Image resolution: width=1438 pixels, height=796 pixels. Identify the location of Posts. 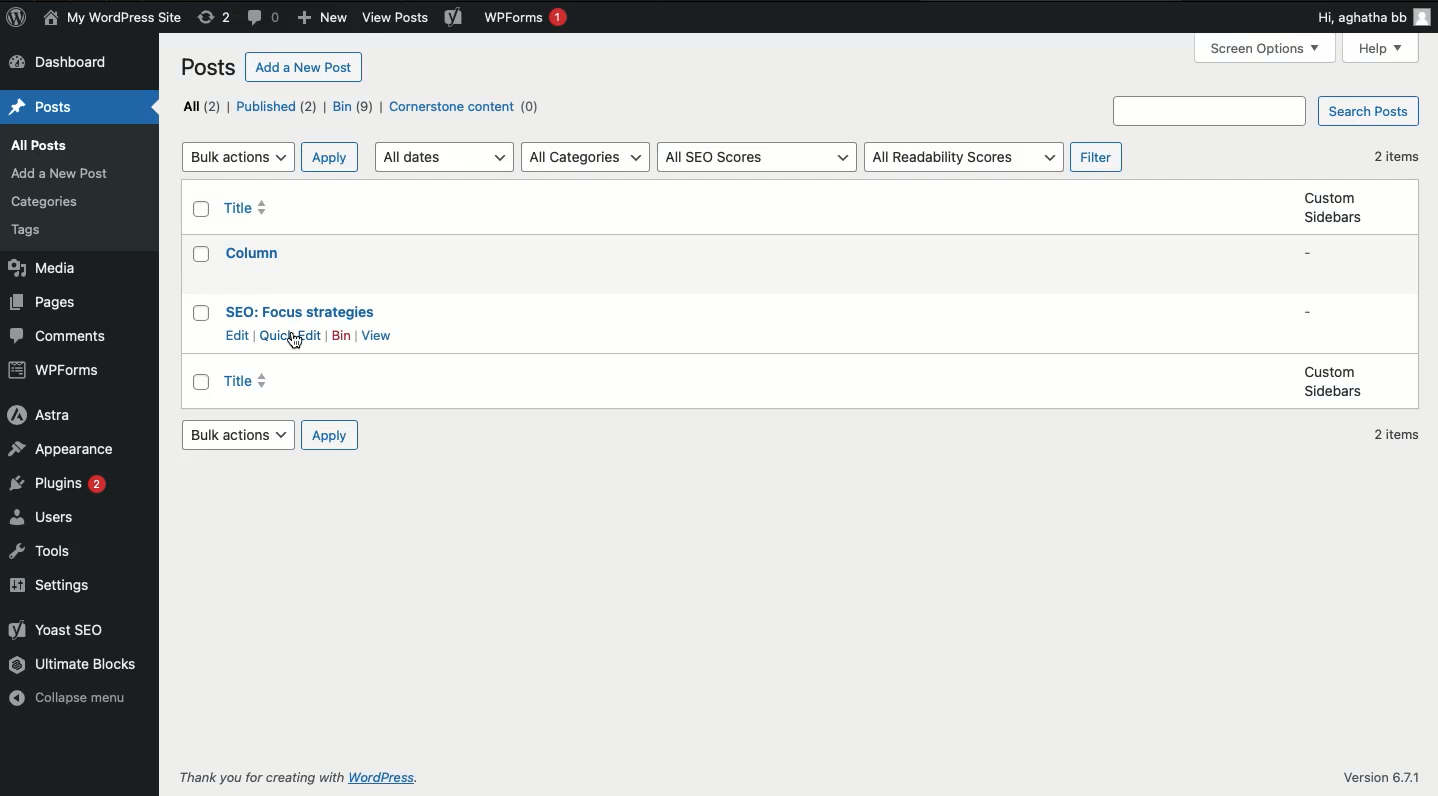
(45, 108).